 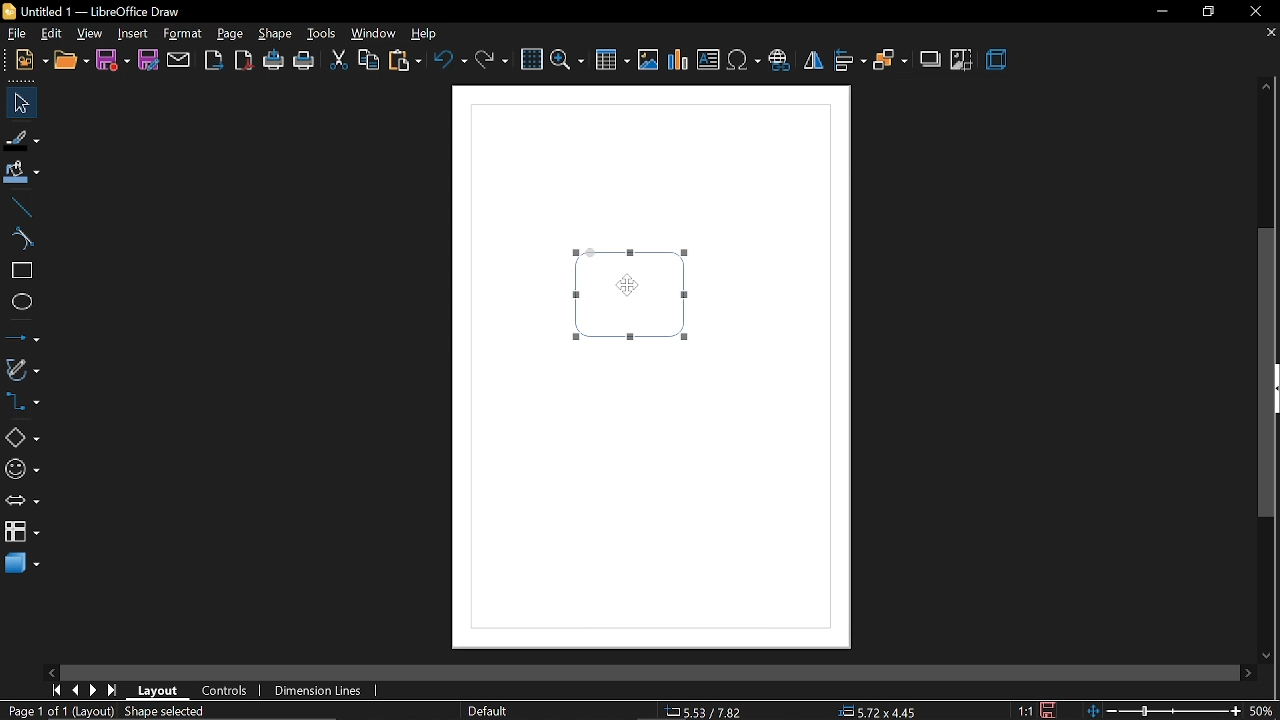 What do you see at coordinates (928, 60) in the screenshot?
I see `shadow` at bounding box center [928, 60].